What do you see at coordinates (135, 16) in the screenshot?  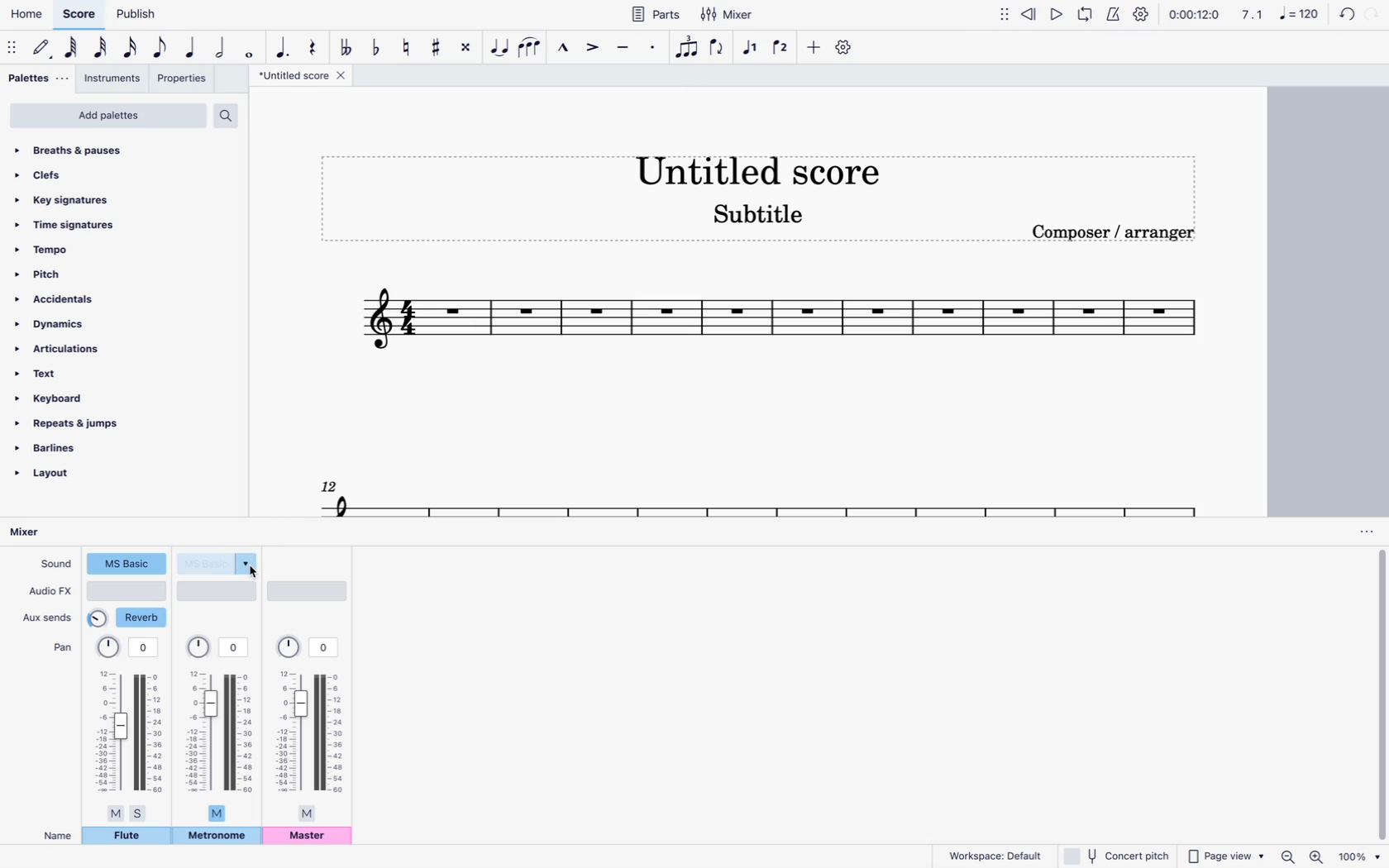 I see `publish` at bounding box center [135, 16].